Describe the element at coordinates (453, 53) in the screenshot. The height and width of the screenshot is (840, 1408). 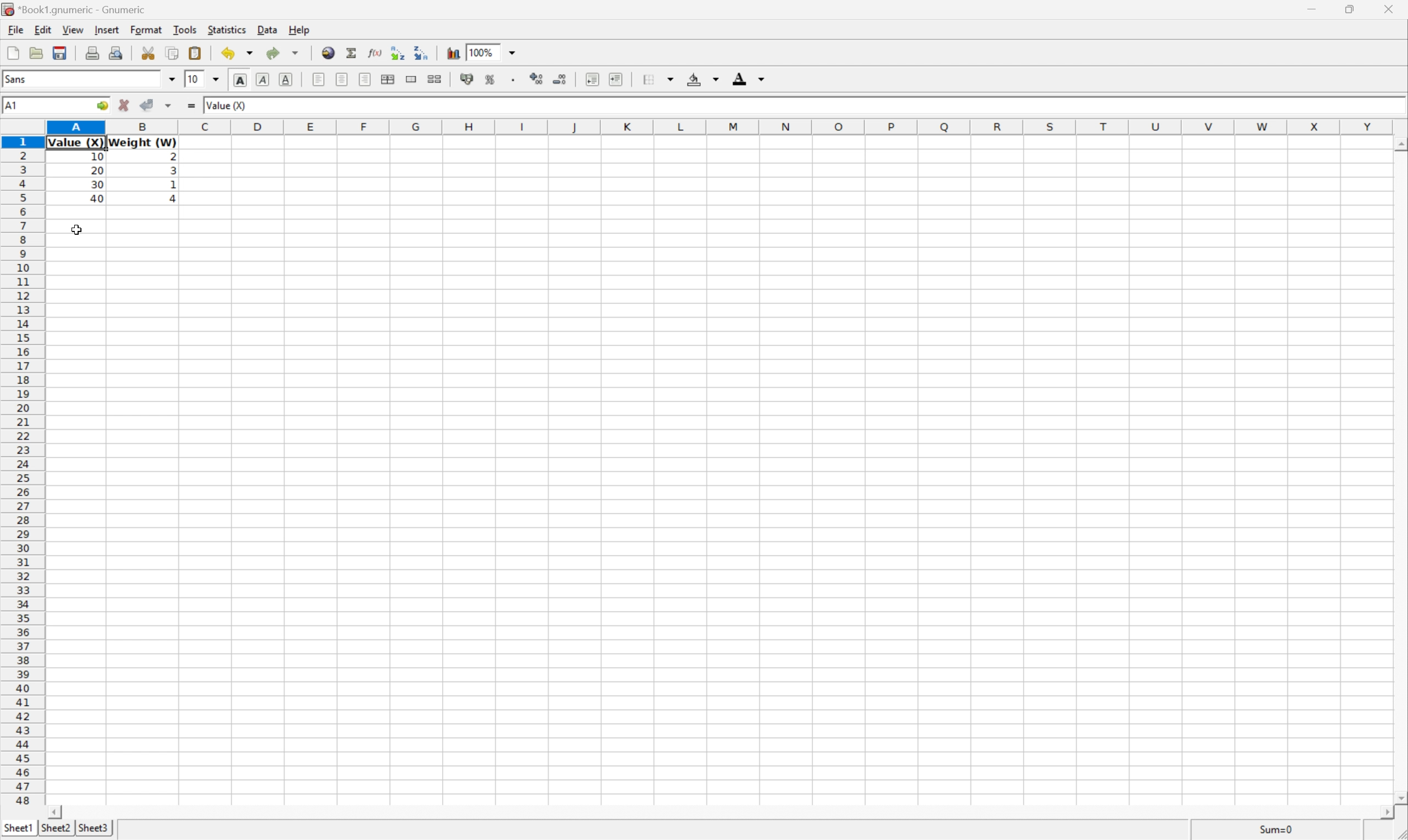
I see `Insert chart` at that location.